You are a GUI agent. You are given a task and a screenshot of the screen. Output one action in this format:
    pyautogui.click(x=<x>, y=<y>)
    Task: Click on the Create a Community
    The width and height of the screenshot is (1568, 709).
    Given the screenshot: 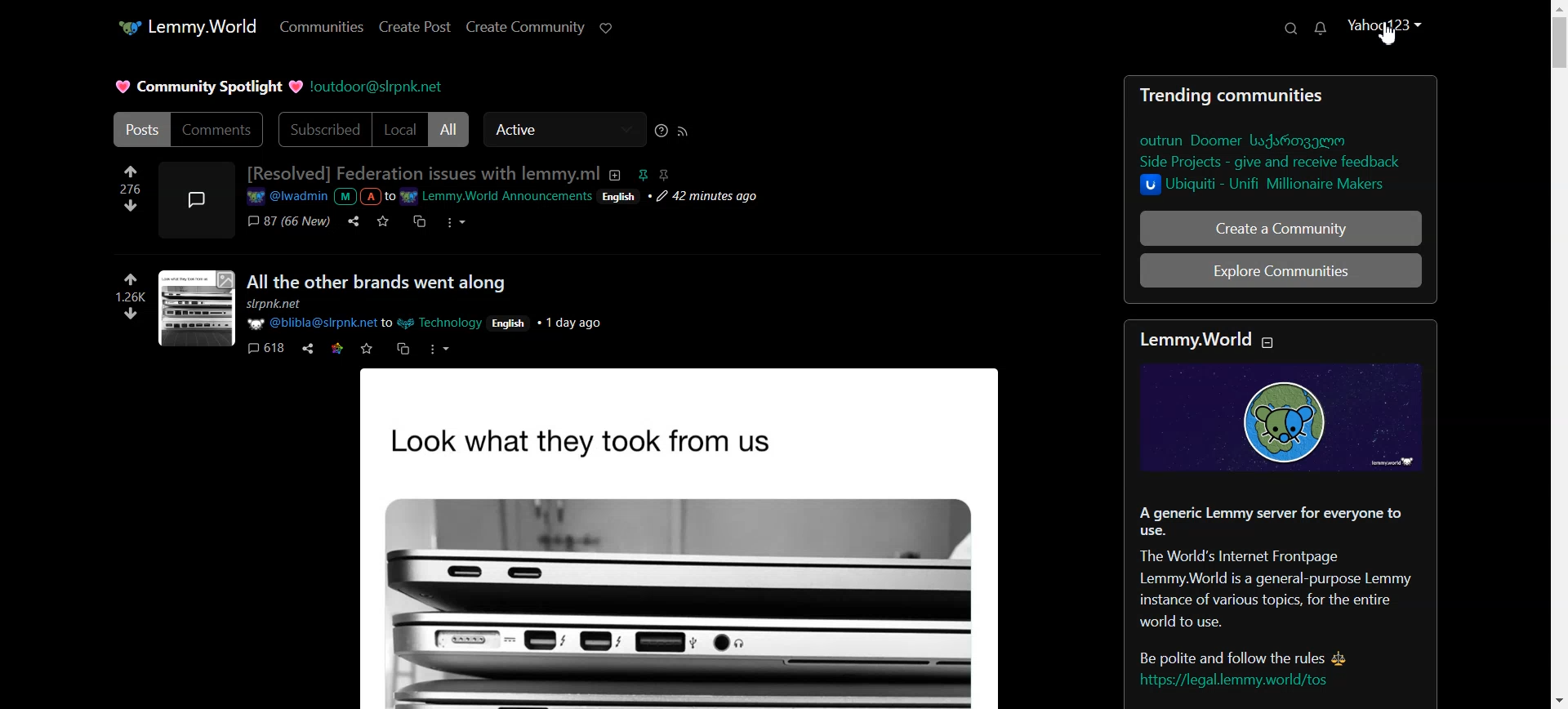 What is the action you would take?
    pyautogui.click(x=1280, y=227)
    